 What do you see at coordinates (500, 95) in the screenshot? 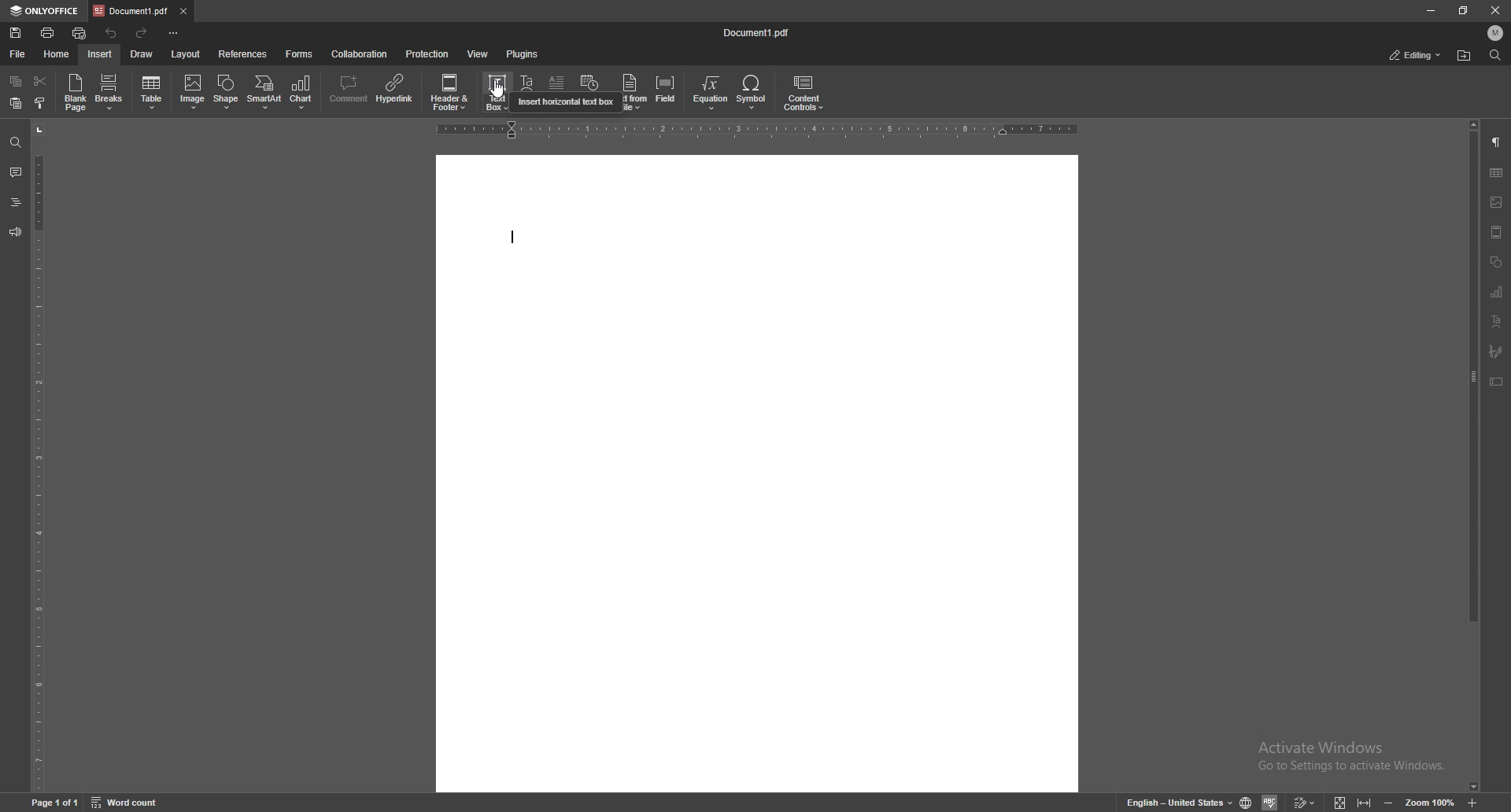
I see `cursor` at bounding box center [500, 95].